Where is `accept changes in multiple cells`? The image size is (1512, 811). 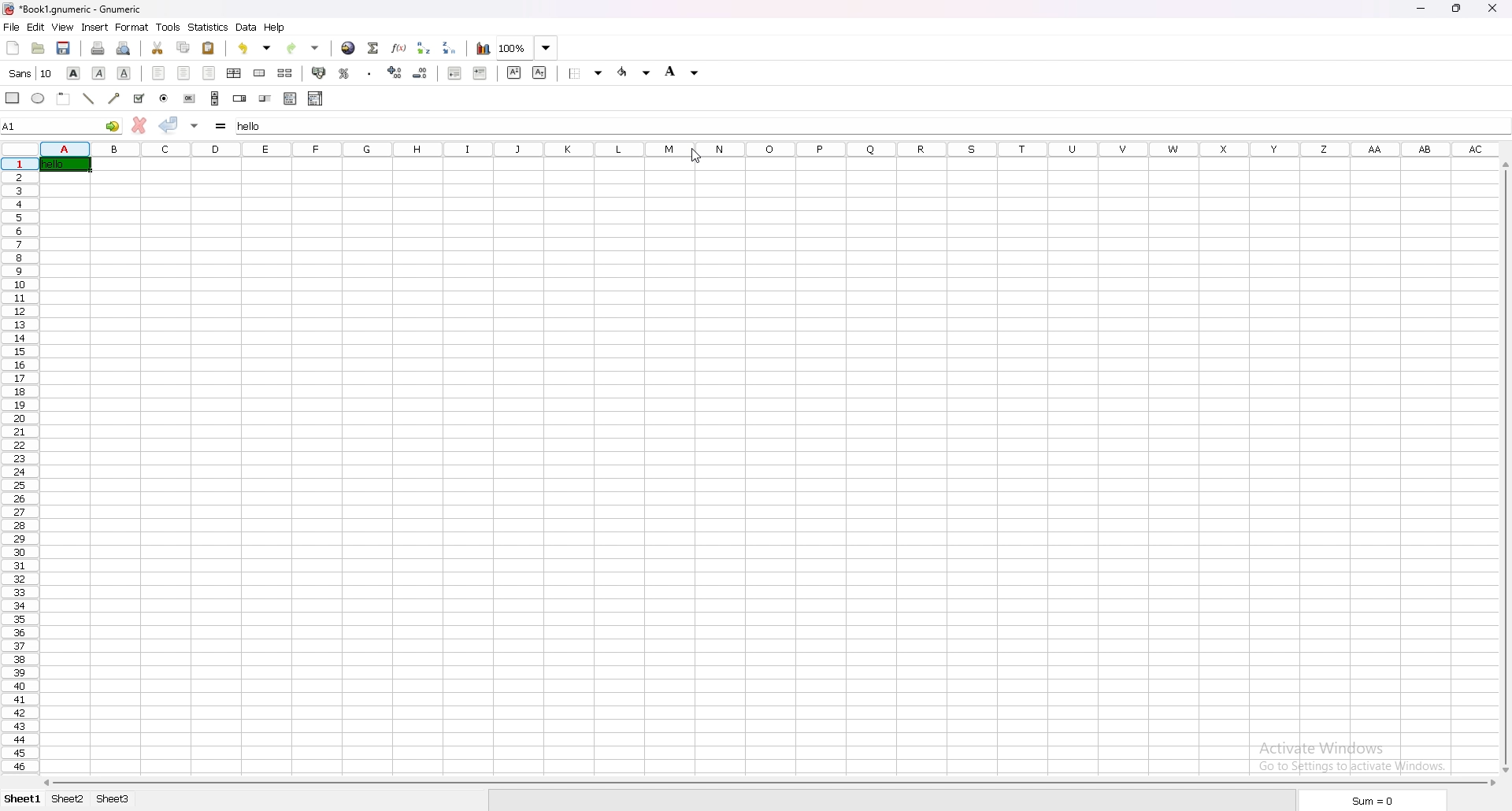
accept changes in multiple cells is located at coordinates (195, 124).